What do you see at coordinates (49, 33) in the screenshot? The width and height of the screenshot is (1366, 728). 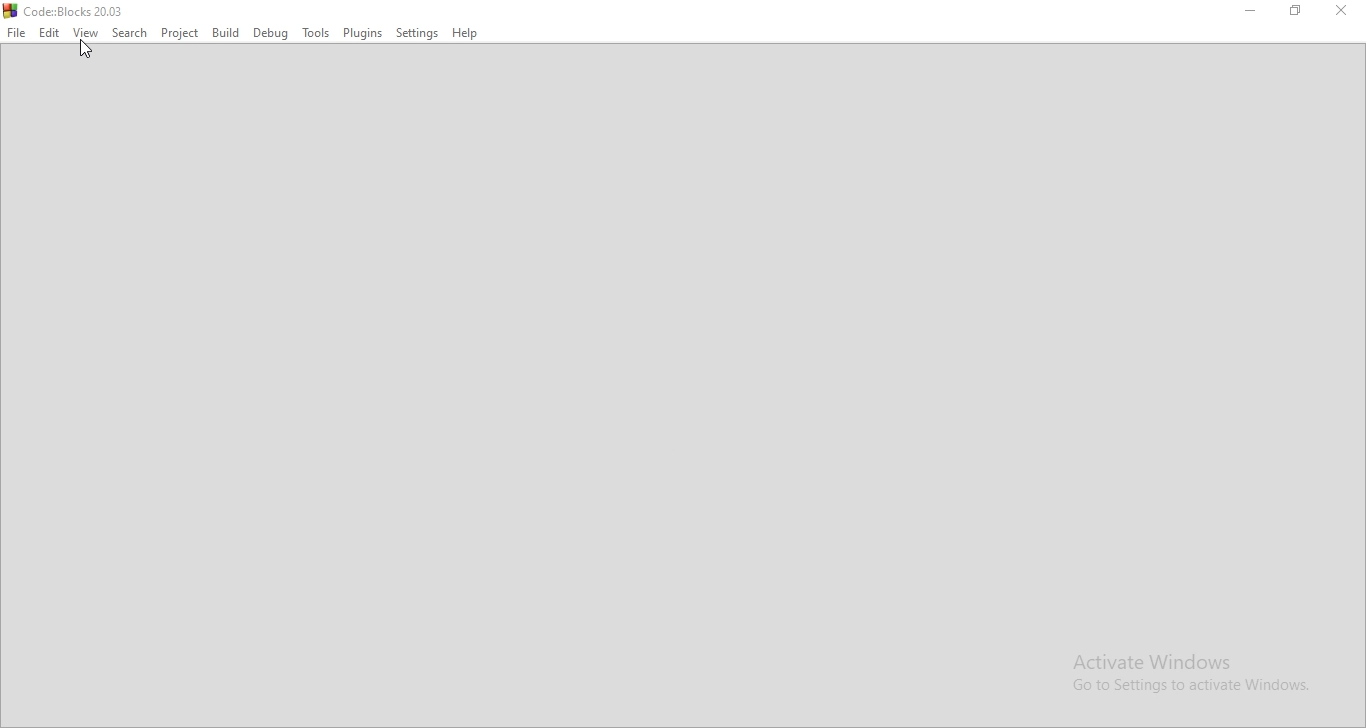 I see `Edit ` at bounding box center [49, 33].